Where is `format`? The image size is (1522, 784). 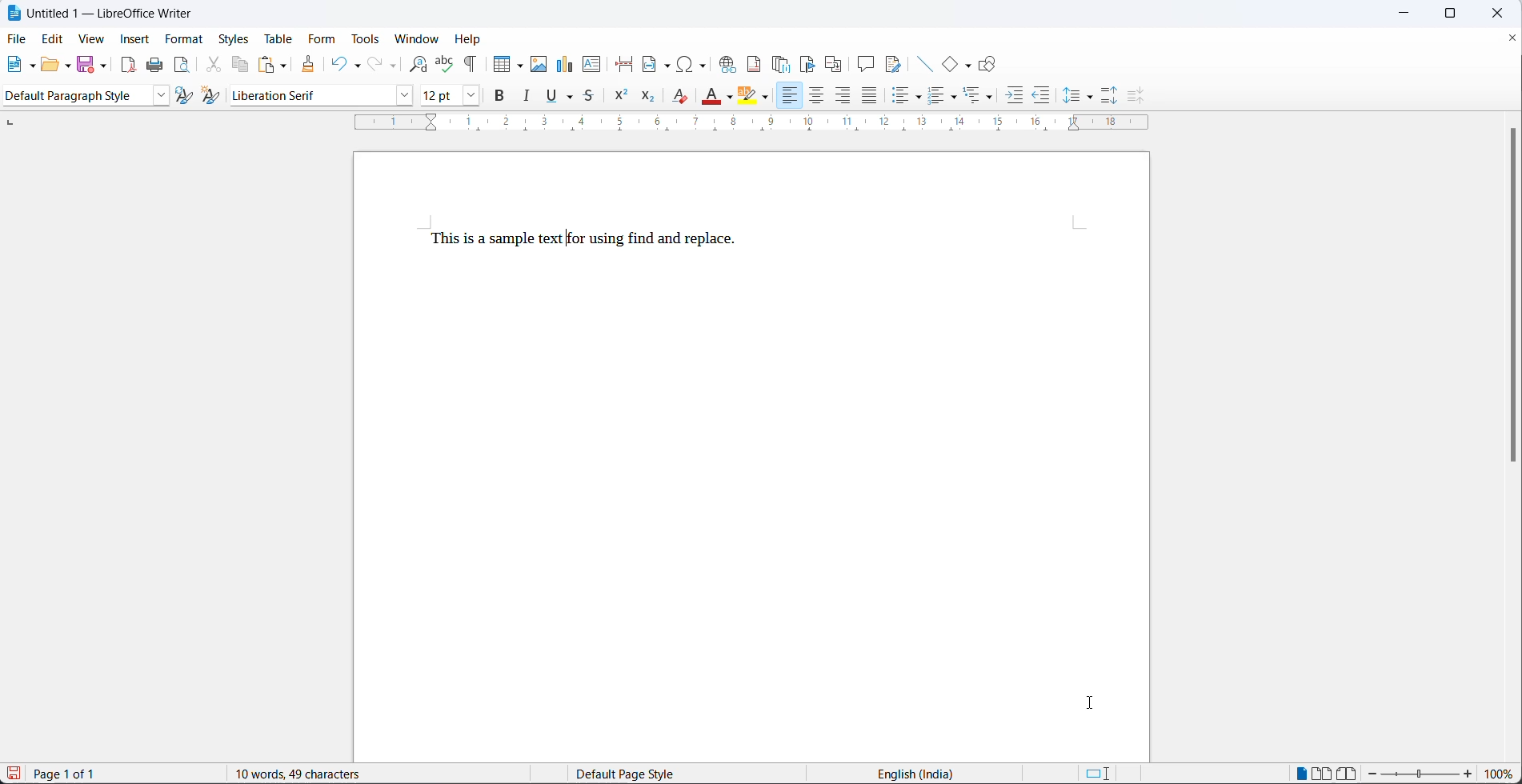 format is located at coordinates (186, 40).